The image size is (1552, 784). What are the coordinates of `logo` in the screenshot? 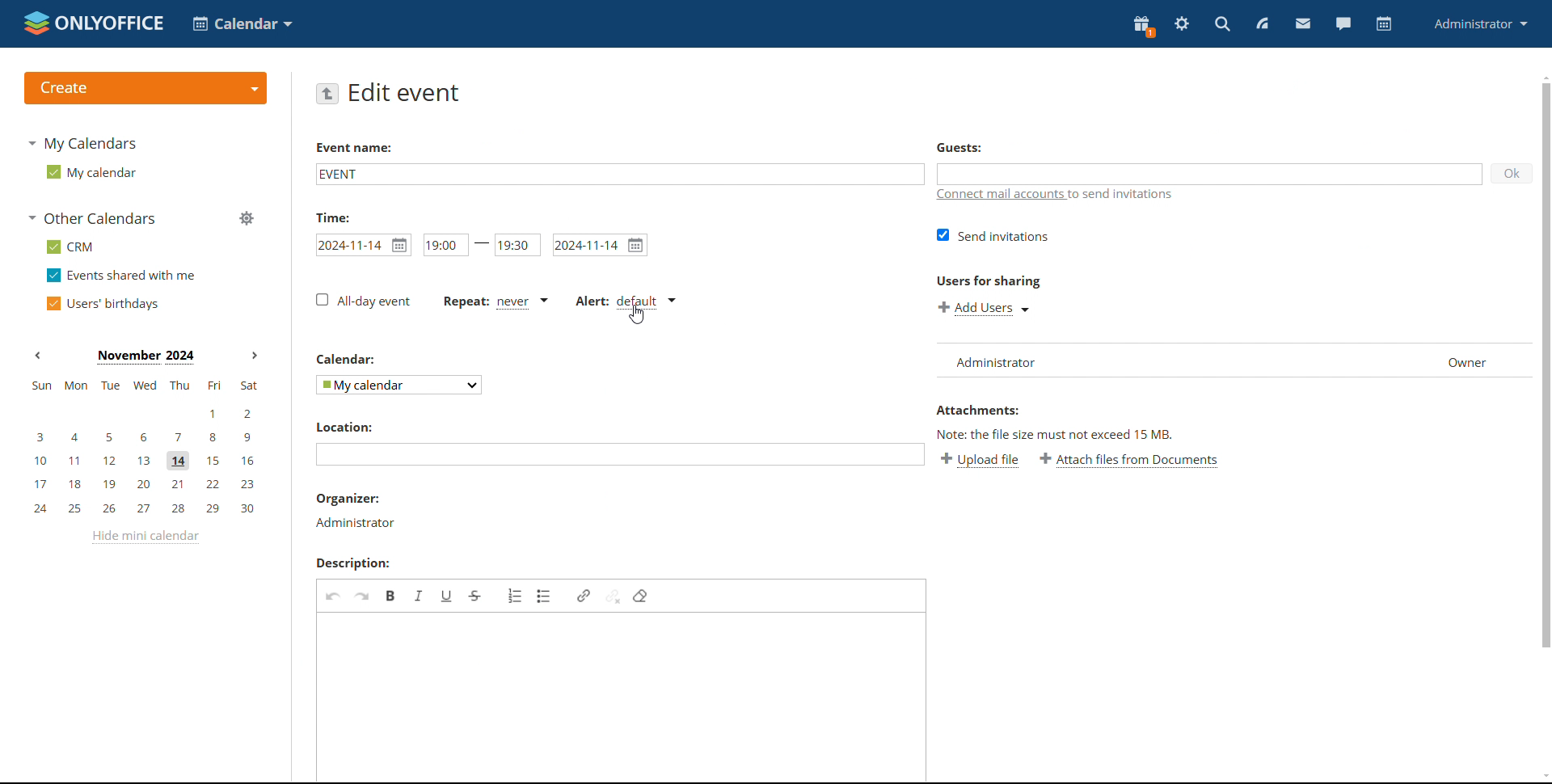 It's located at (92, 23).